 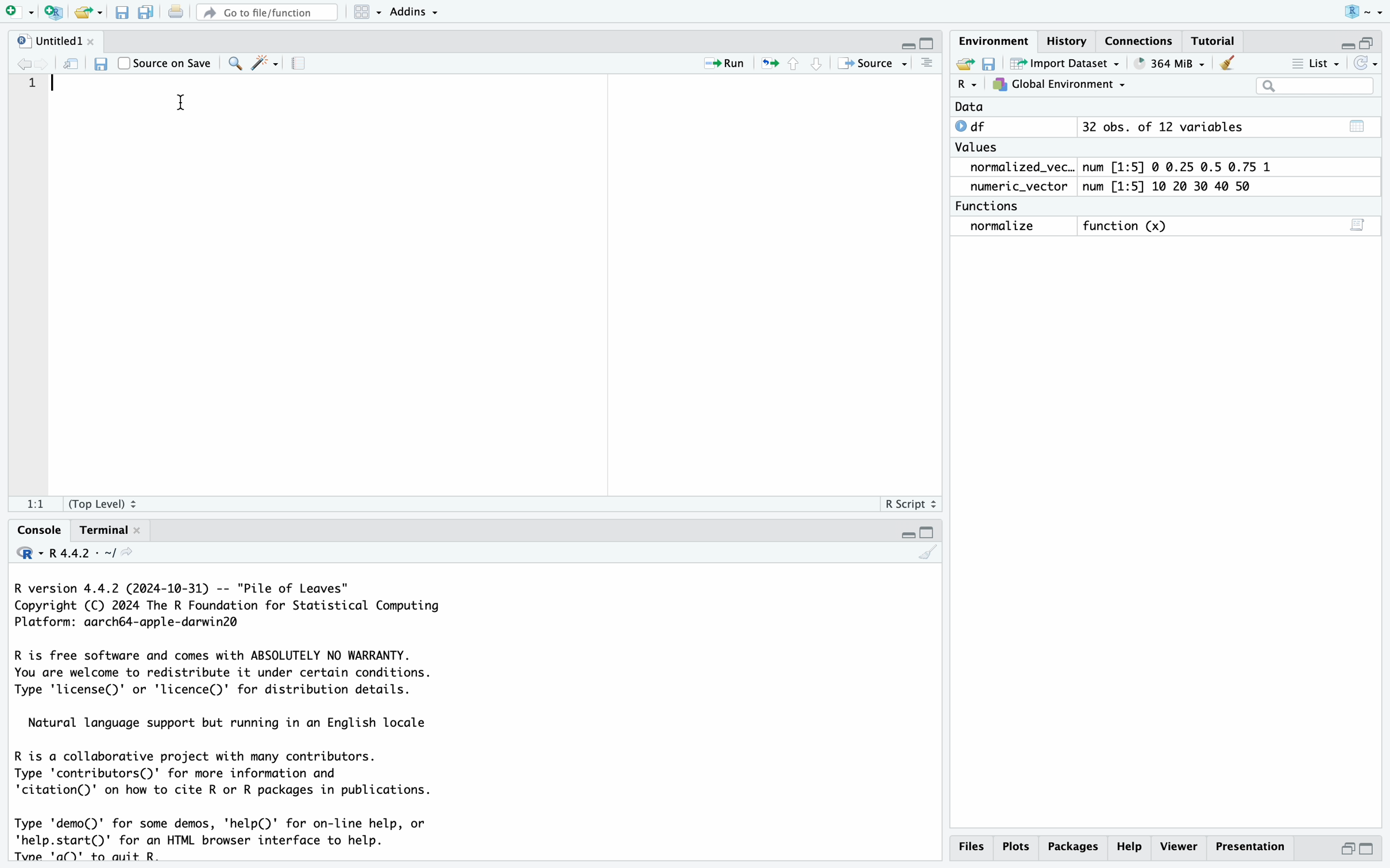 I want to click on Addins, so click(x=415, y=11).